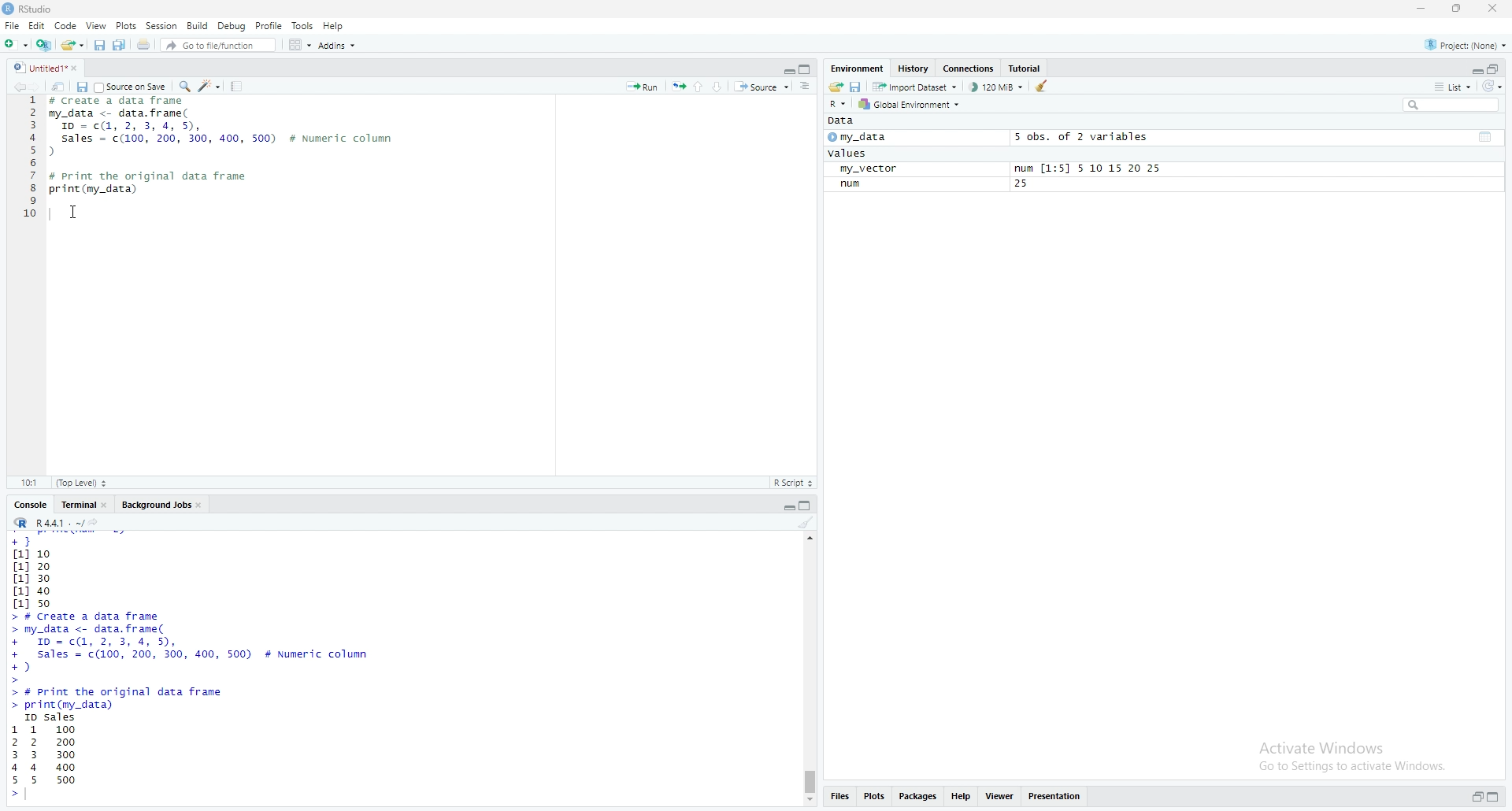 The image size is (1512, 811). Describe the element at coordinates (80, 69) in the screenshot. I see `close` at that location.